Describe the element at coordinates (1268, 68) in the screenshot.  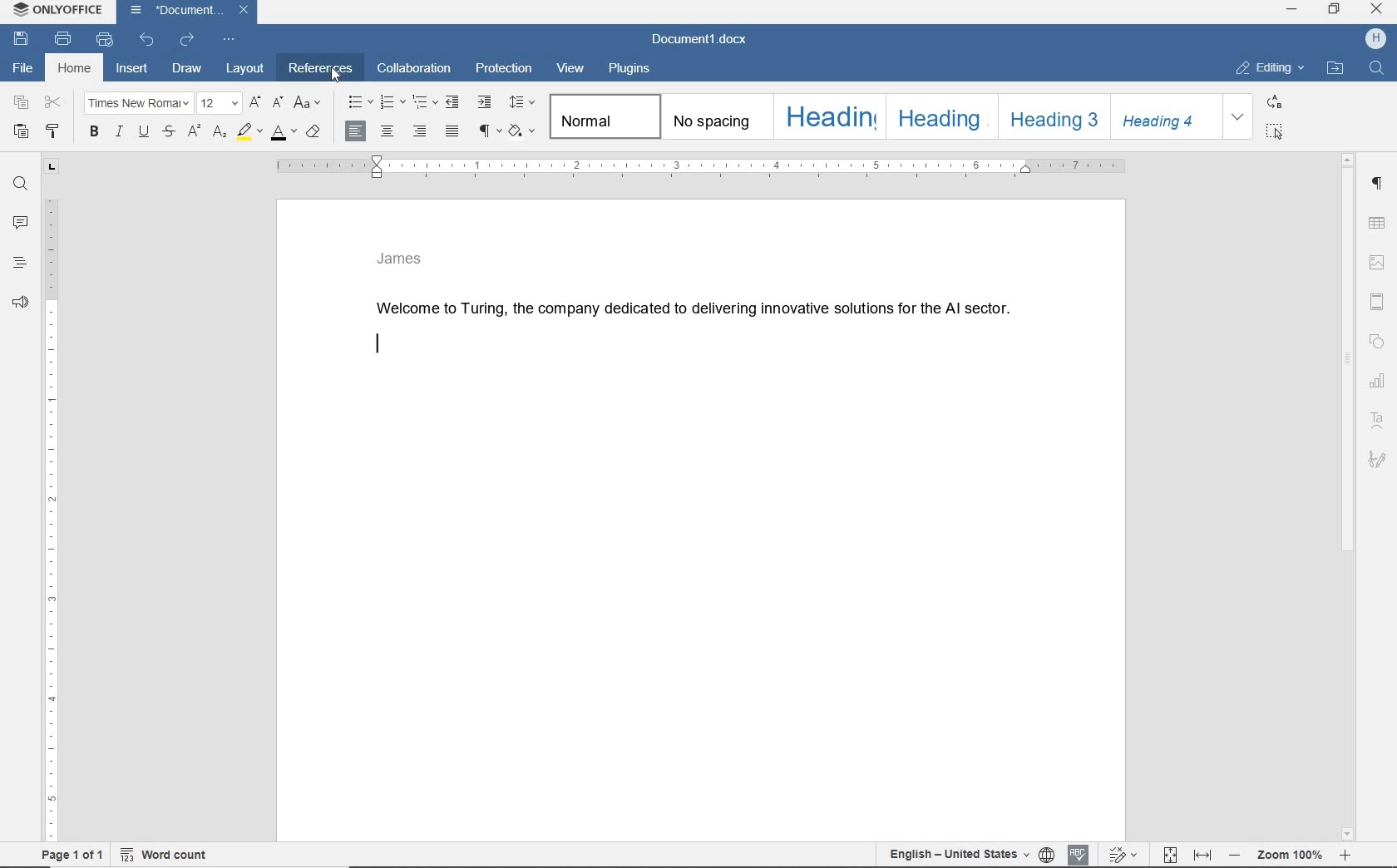
I see `EDITING` at that location.